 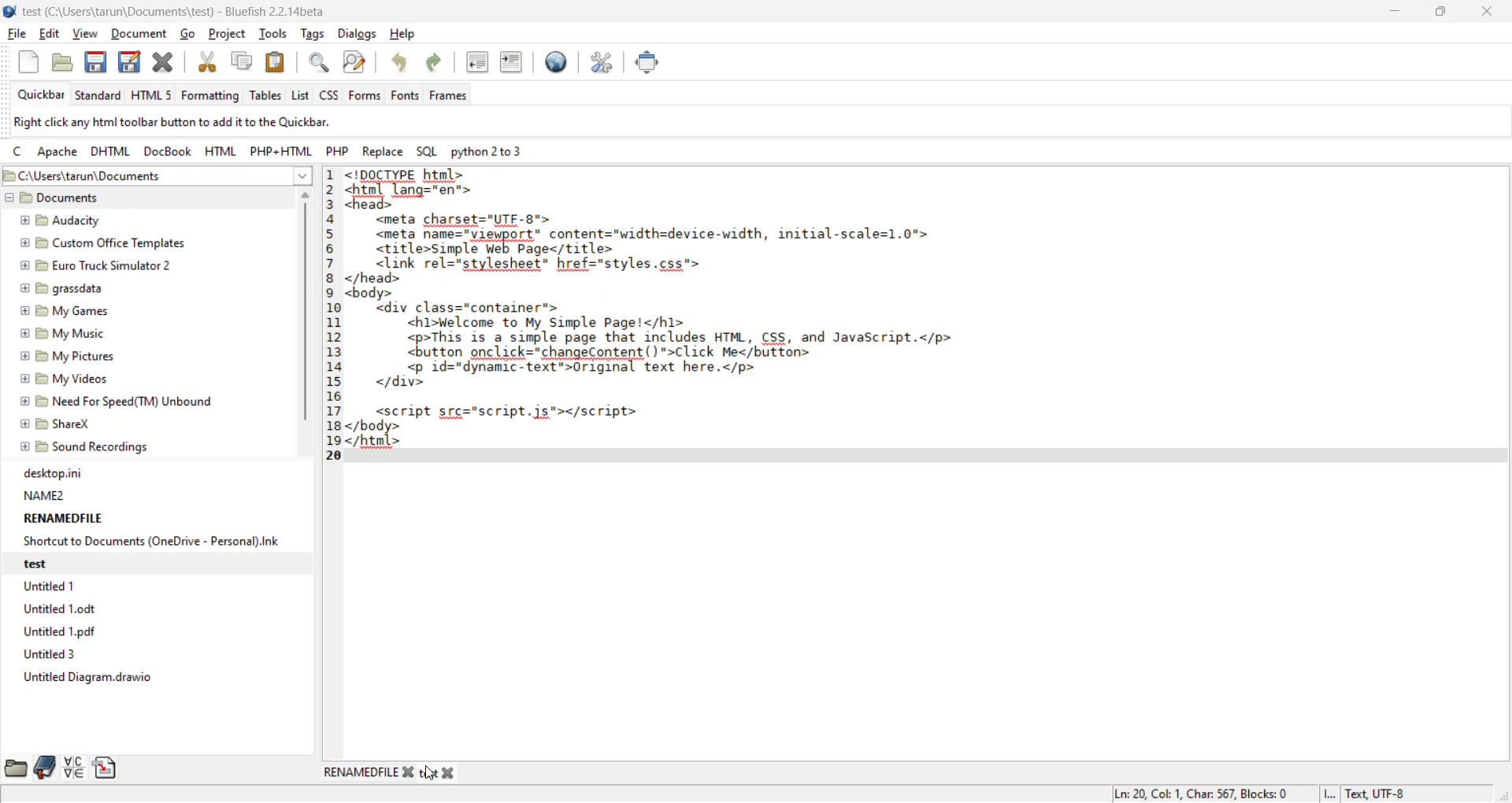 I want to click on php html, so click(x=283, y=152).